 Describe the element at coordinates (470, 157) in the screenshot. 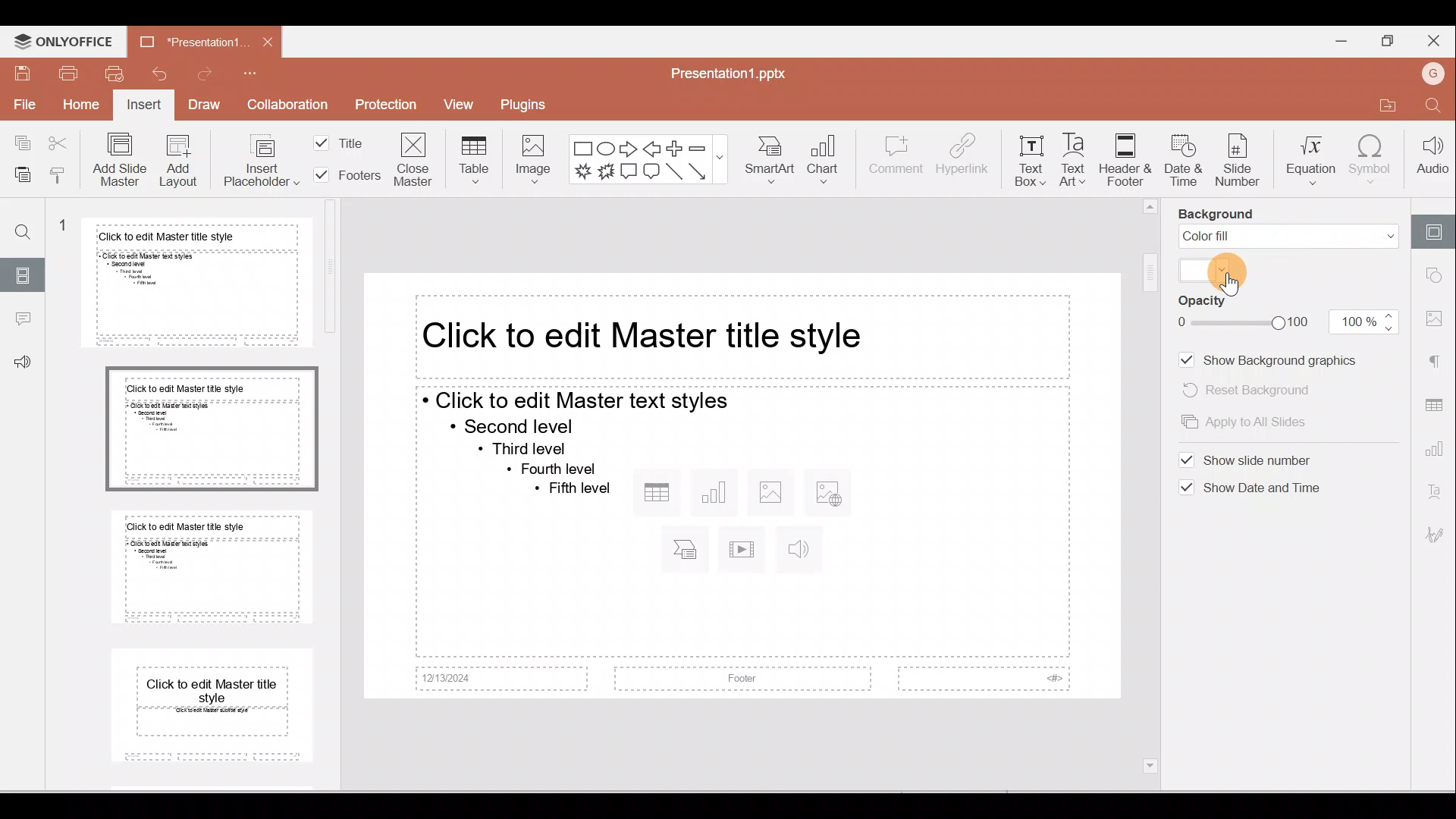

I see `Table` at that location.